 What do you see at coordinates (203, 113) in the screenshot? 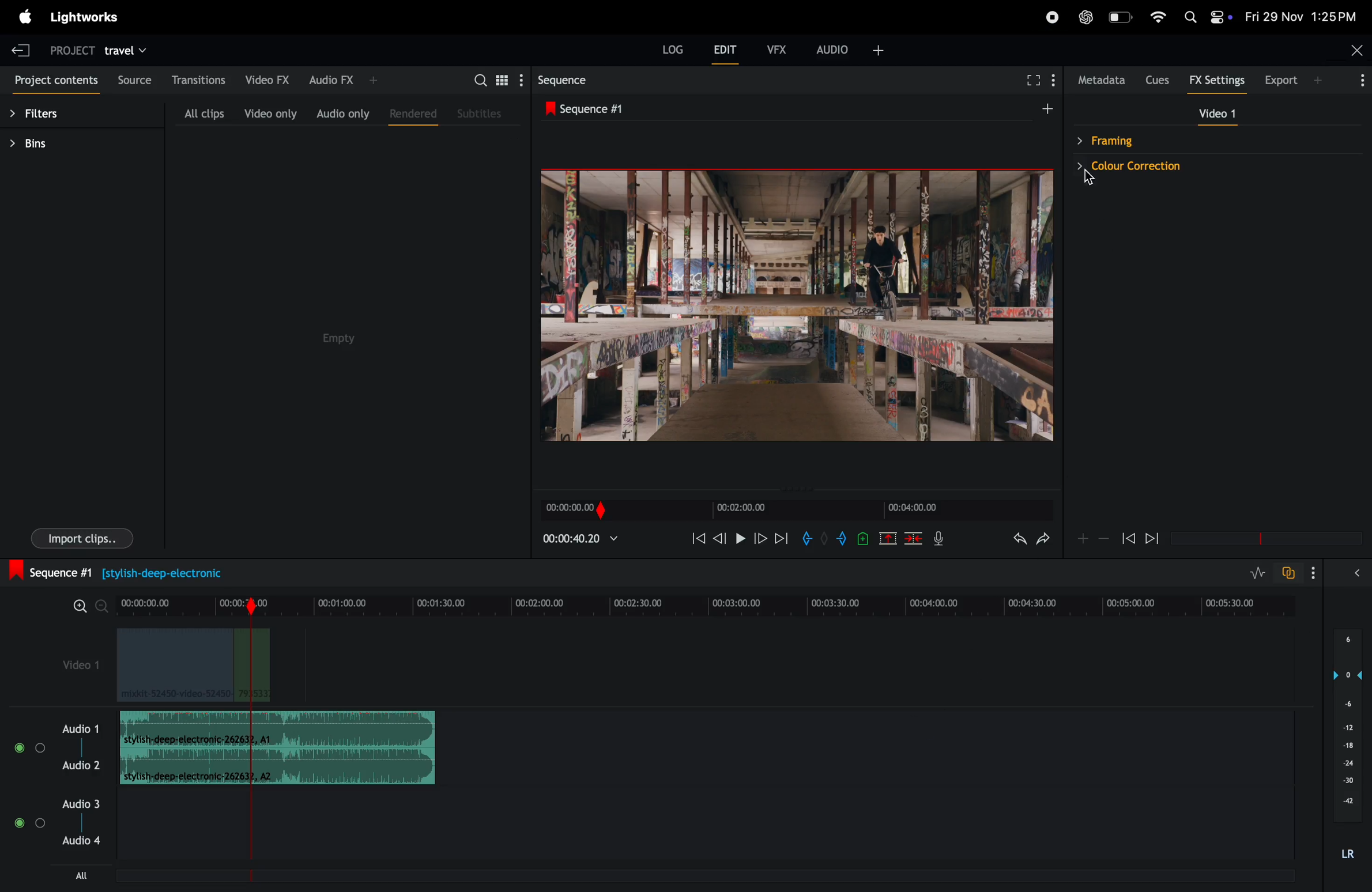
I see `all clips` at bounding box center [203, 113].